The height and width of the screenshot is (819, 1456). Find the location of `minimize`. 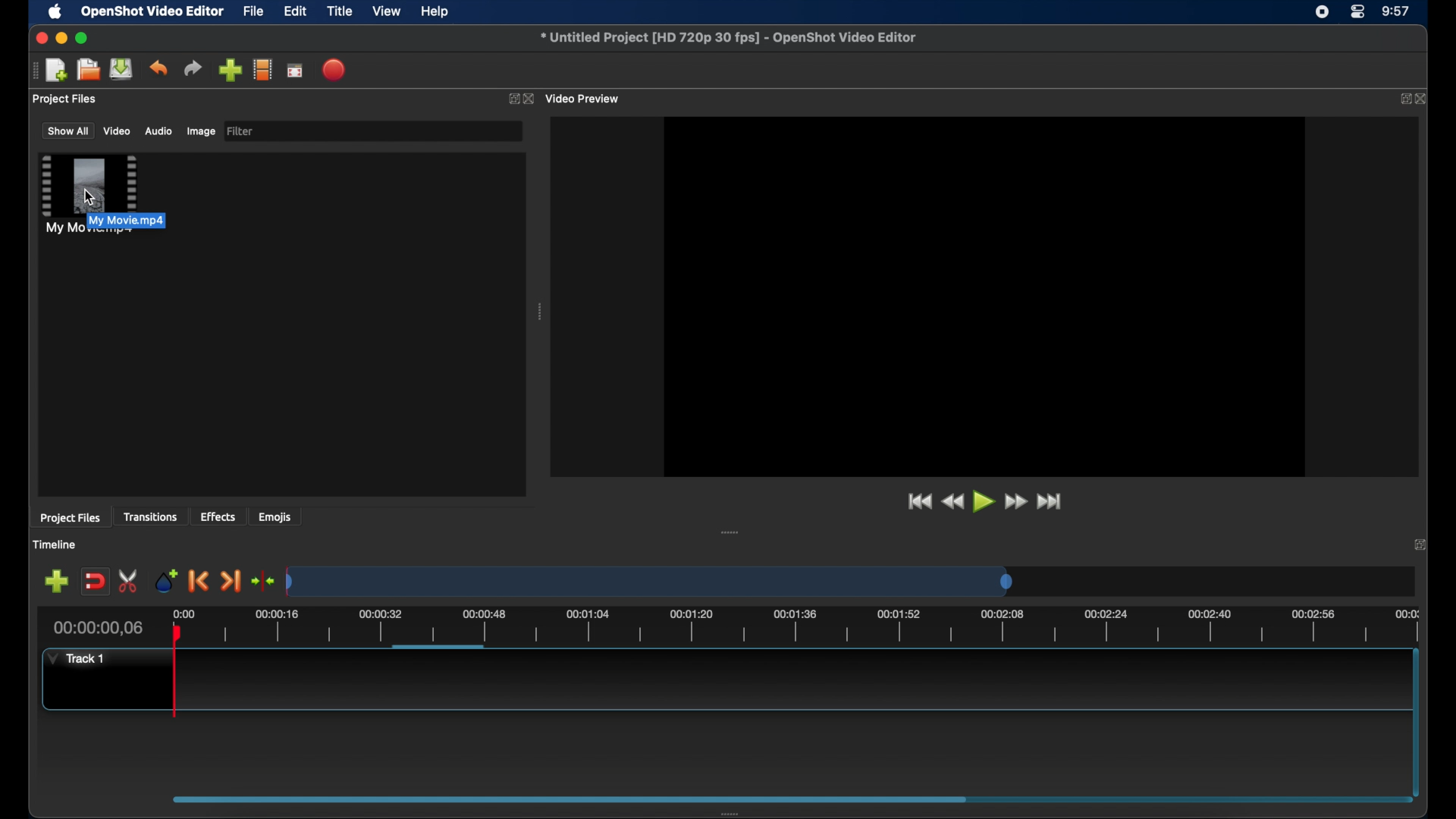

minimize is located at coordinates (61, 38).